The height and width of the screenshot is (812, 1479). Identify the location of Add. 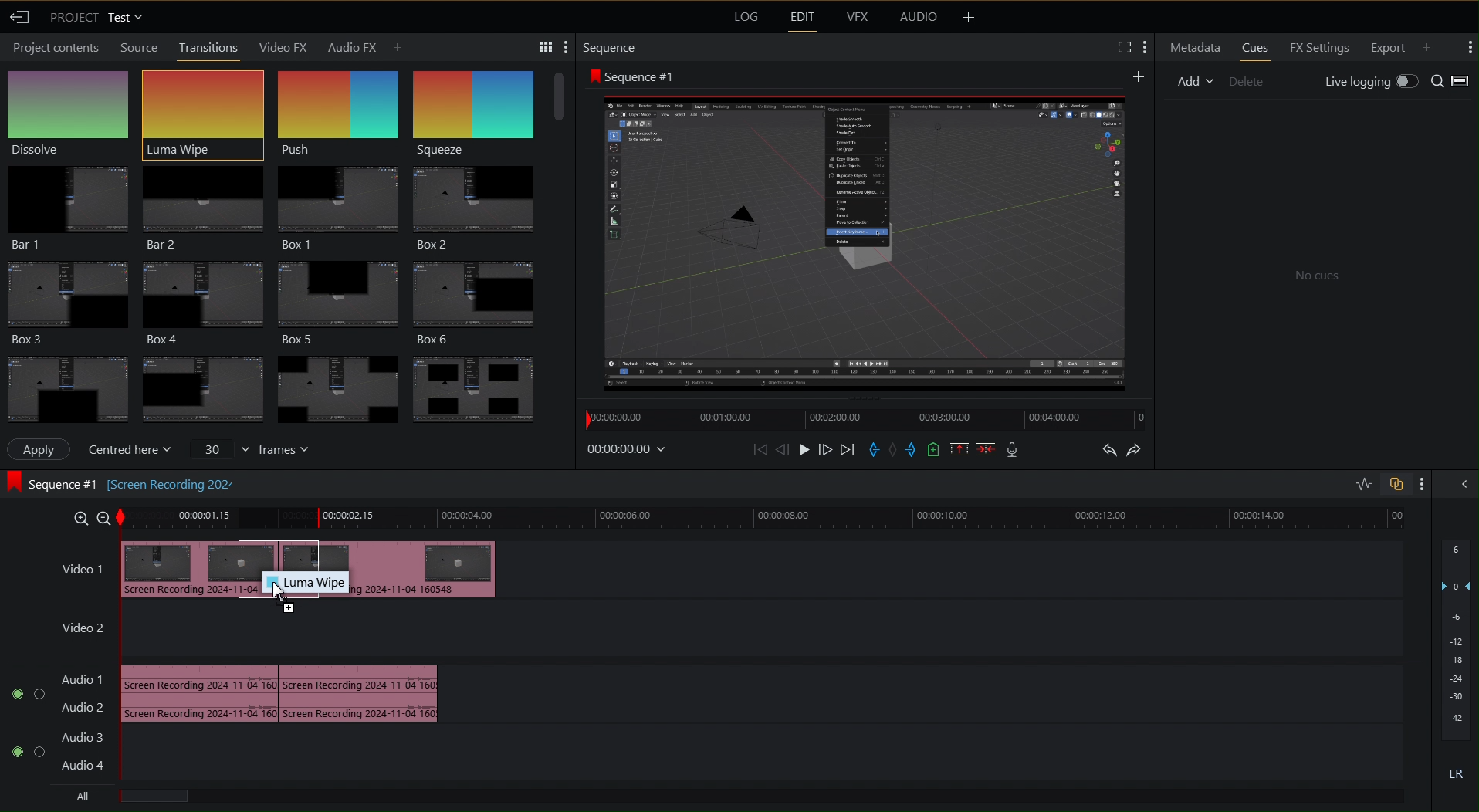
(1139, 75).